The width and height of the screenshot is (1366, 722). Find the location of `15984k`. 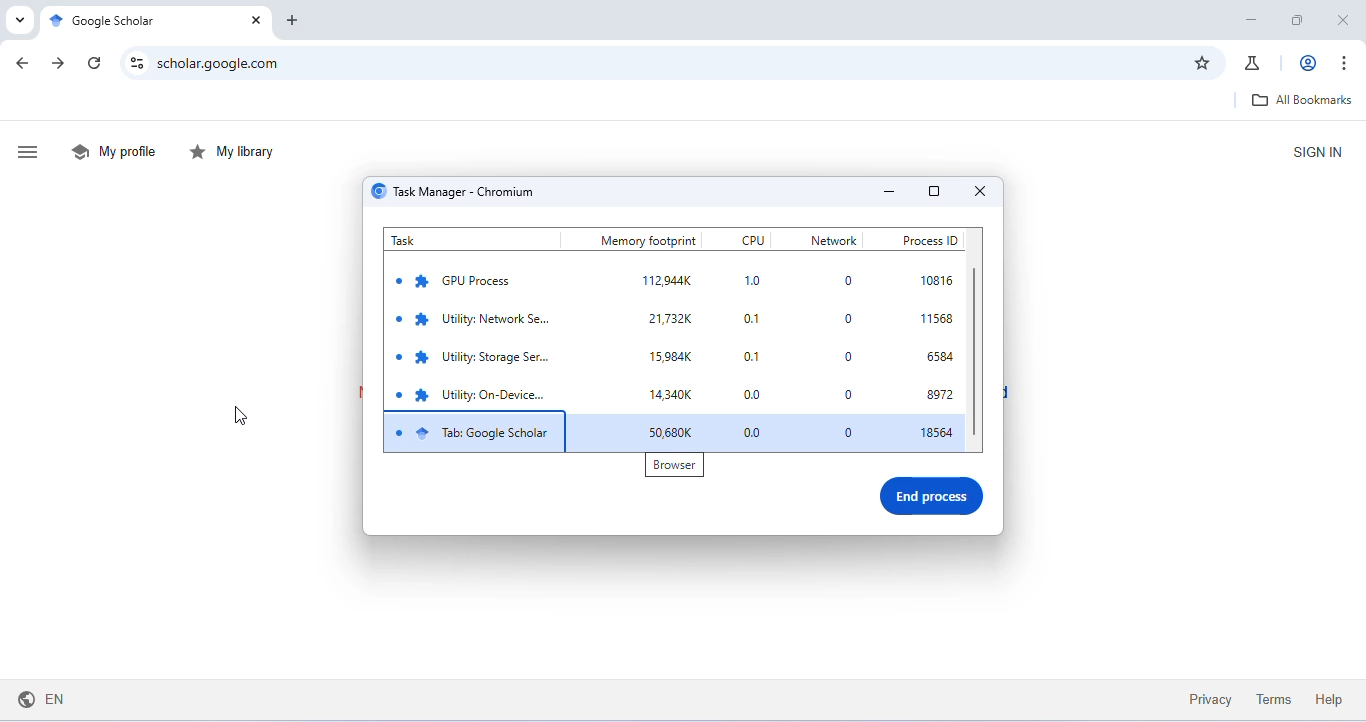

15984k is located at coordinates (673, 357).